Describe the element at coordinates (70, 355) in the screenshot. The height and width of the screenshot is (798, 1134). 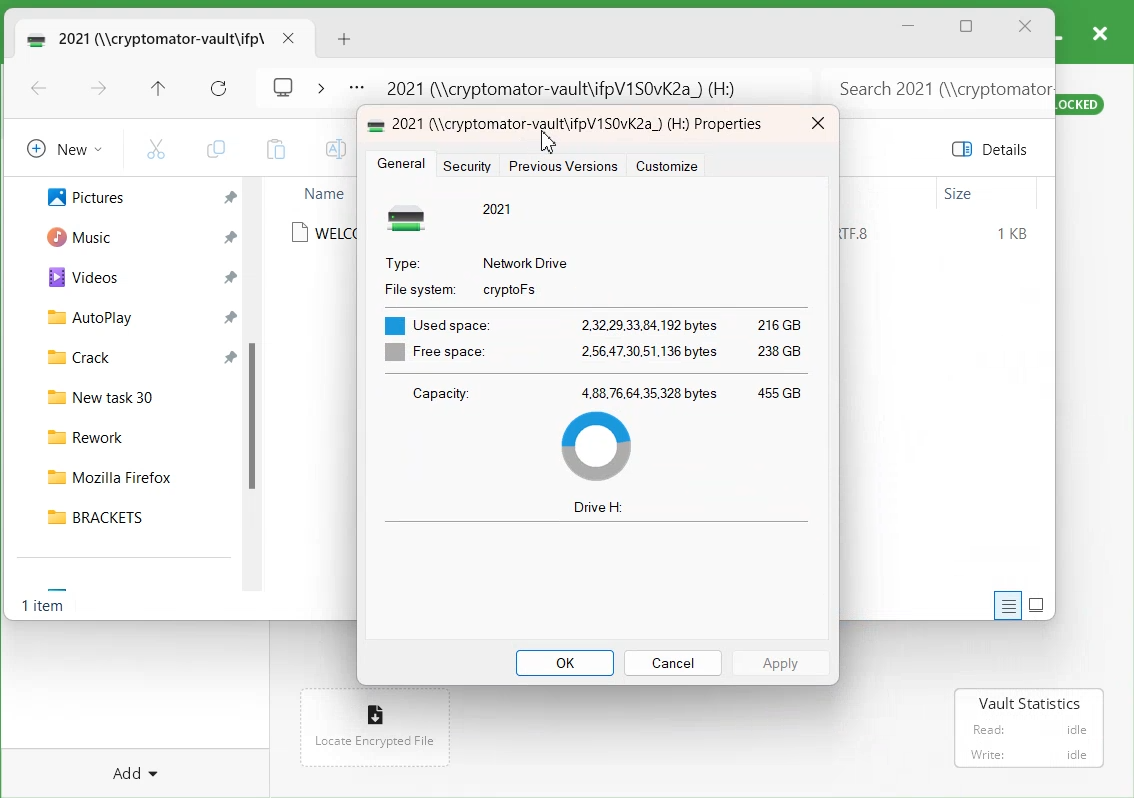
I see `Crack` at that location.